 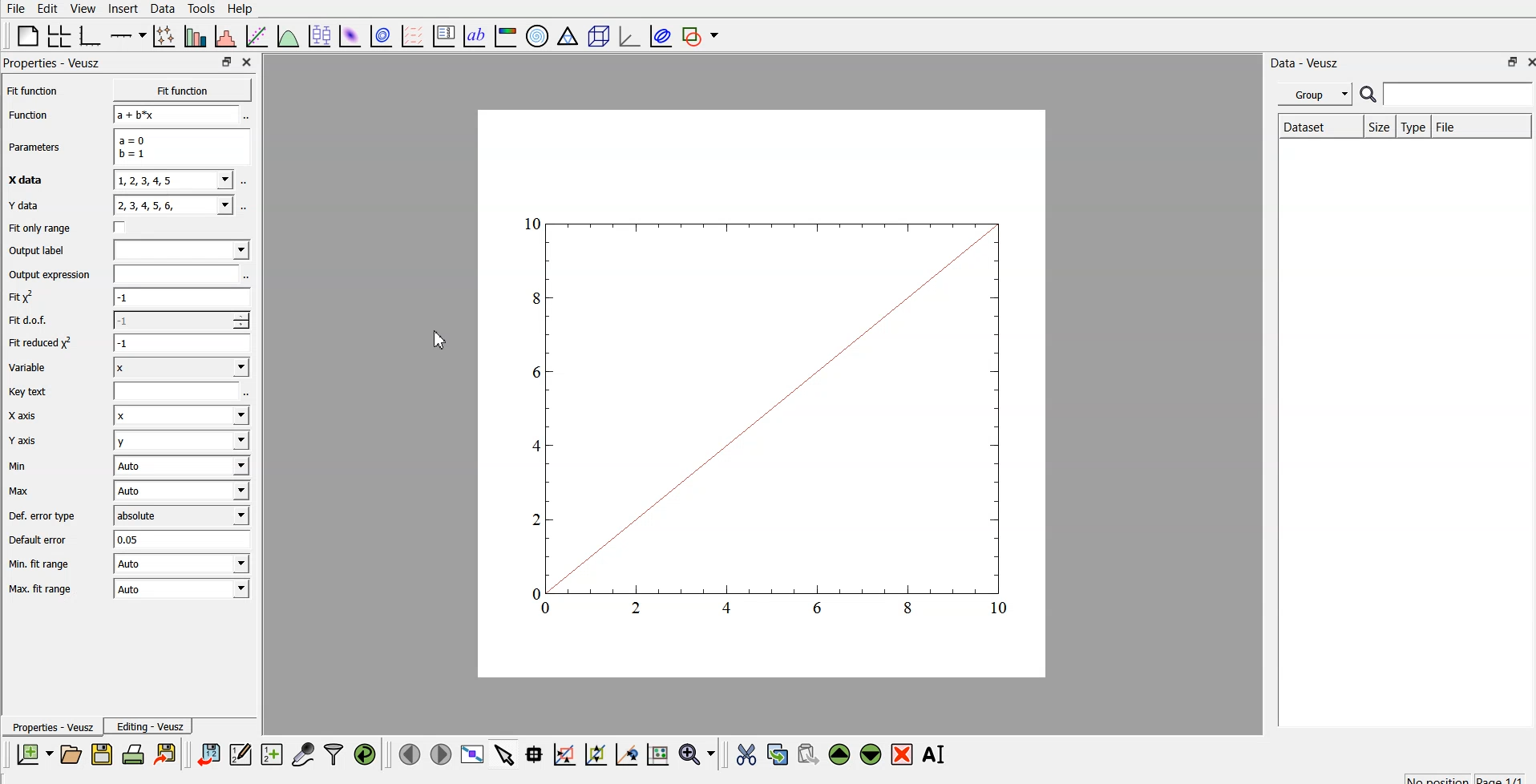 I want to click on Max, so click(x=39, y=491).